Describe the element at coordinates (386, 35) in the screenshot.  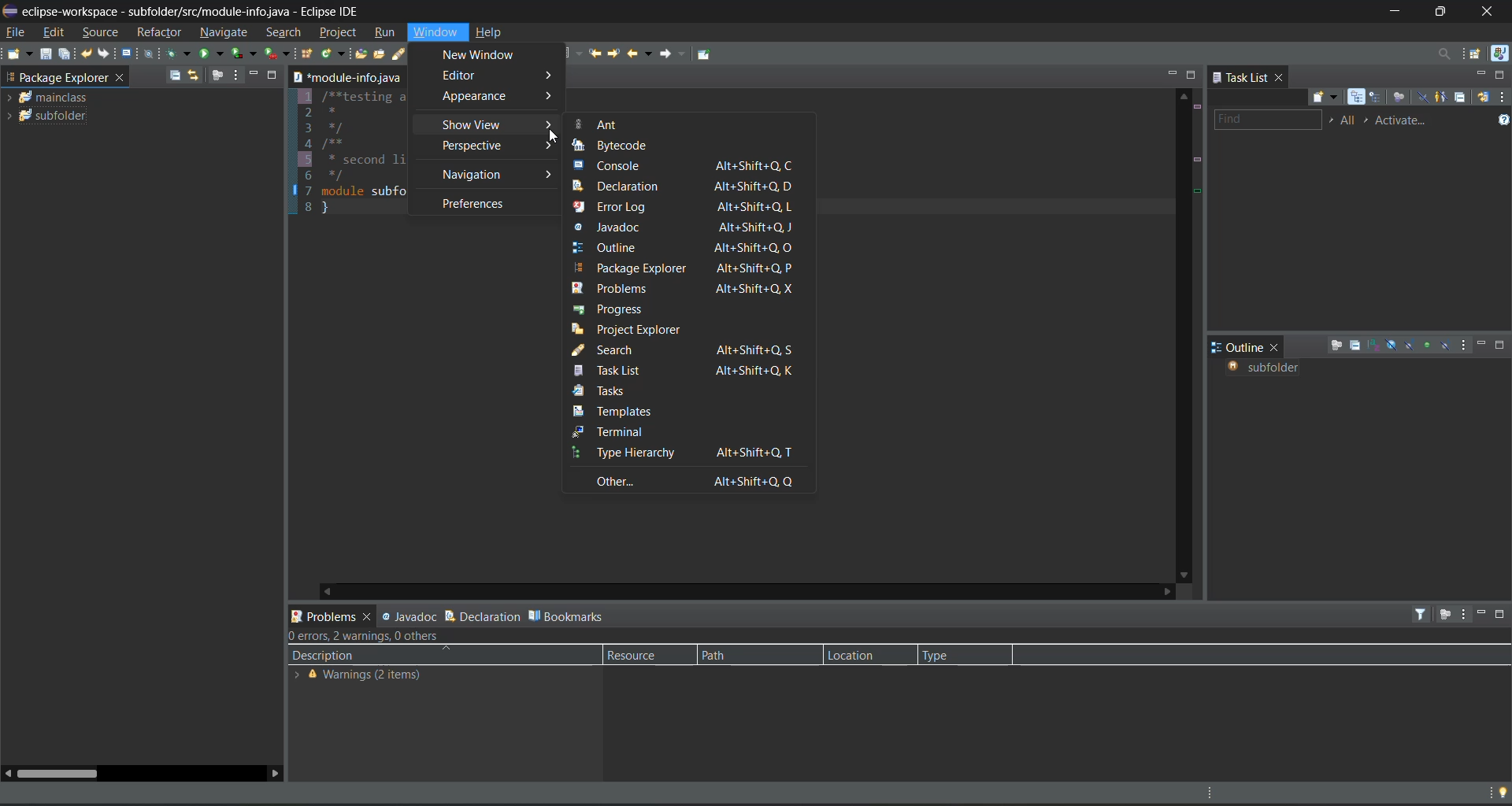
I see `run` at that location.